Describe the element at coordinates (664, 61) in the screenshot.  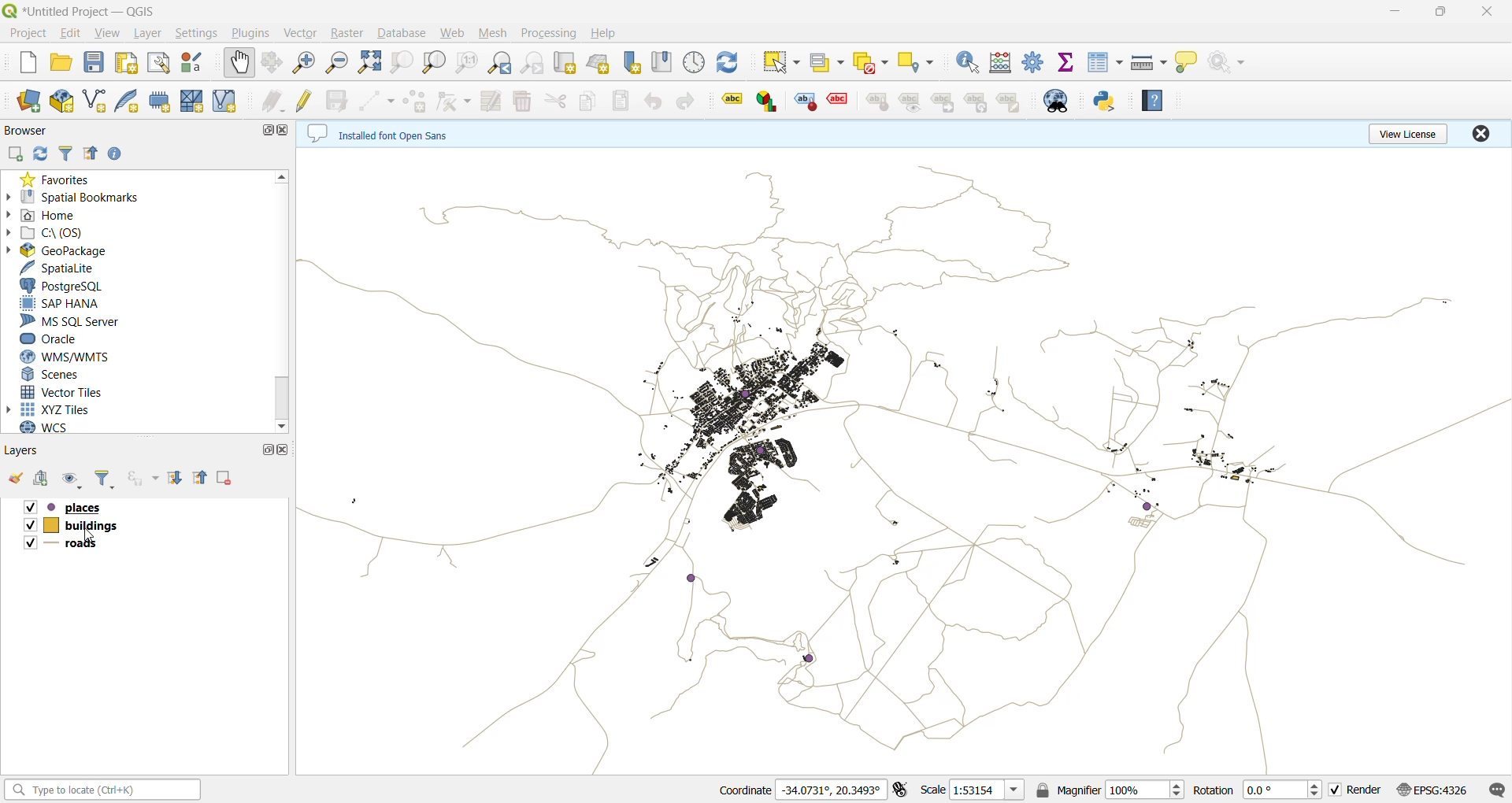
I see `show spatial bookmark` at that location.